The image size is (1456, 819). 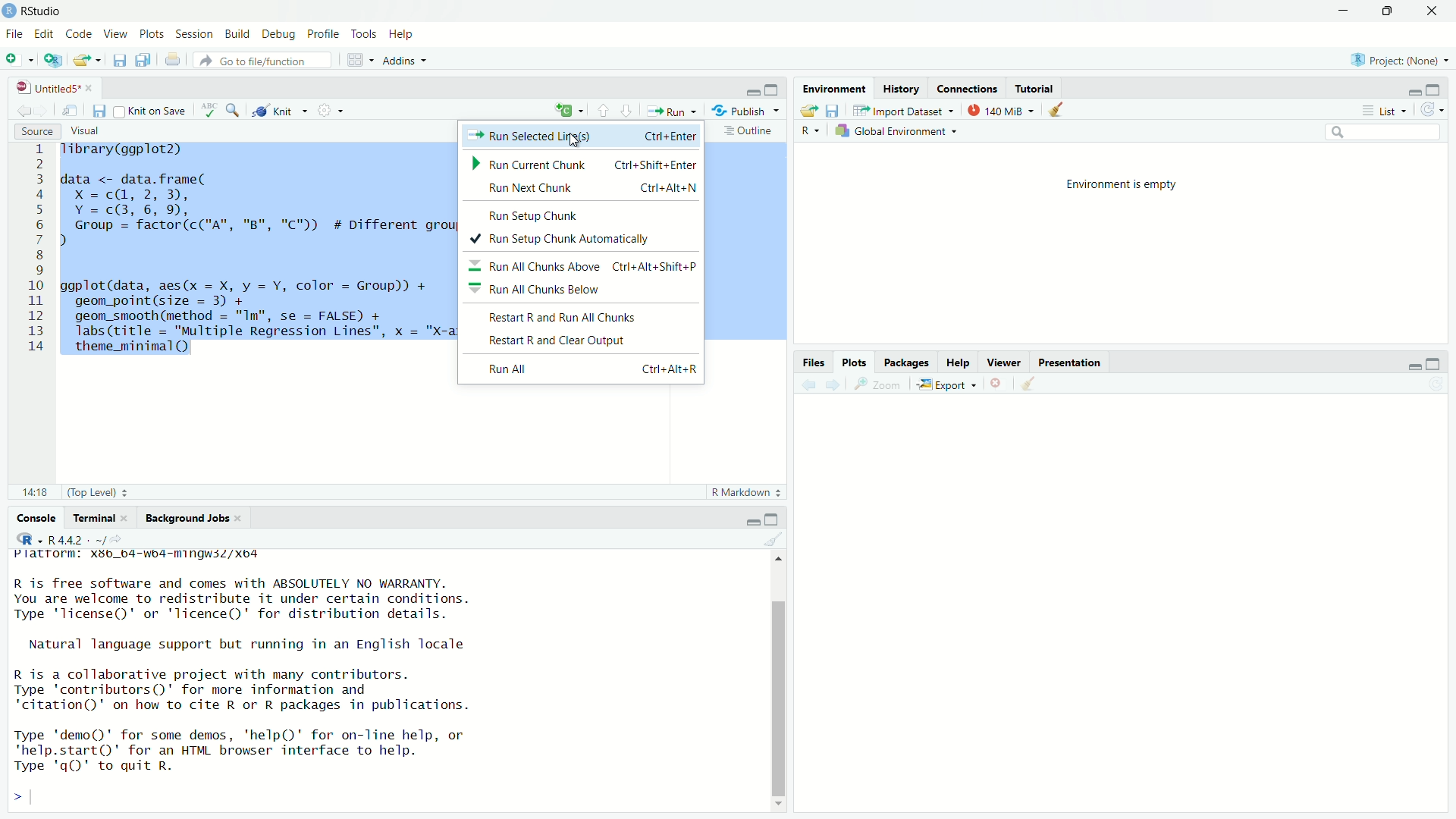 I want to click on R ~, so click(x=812, y=127).